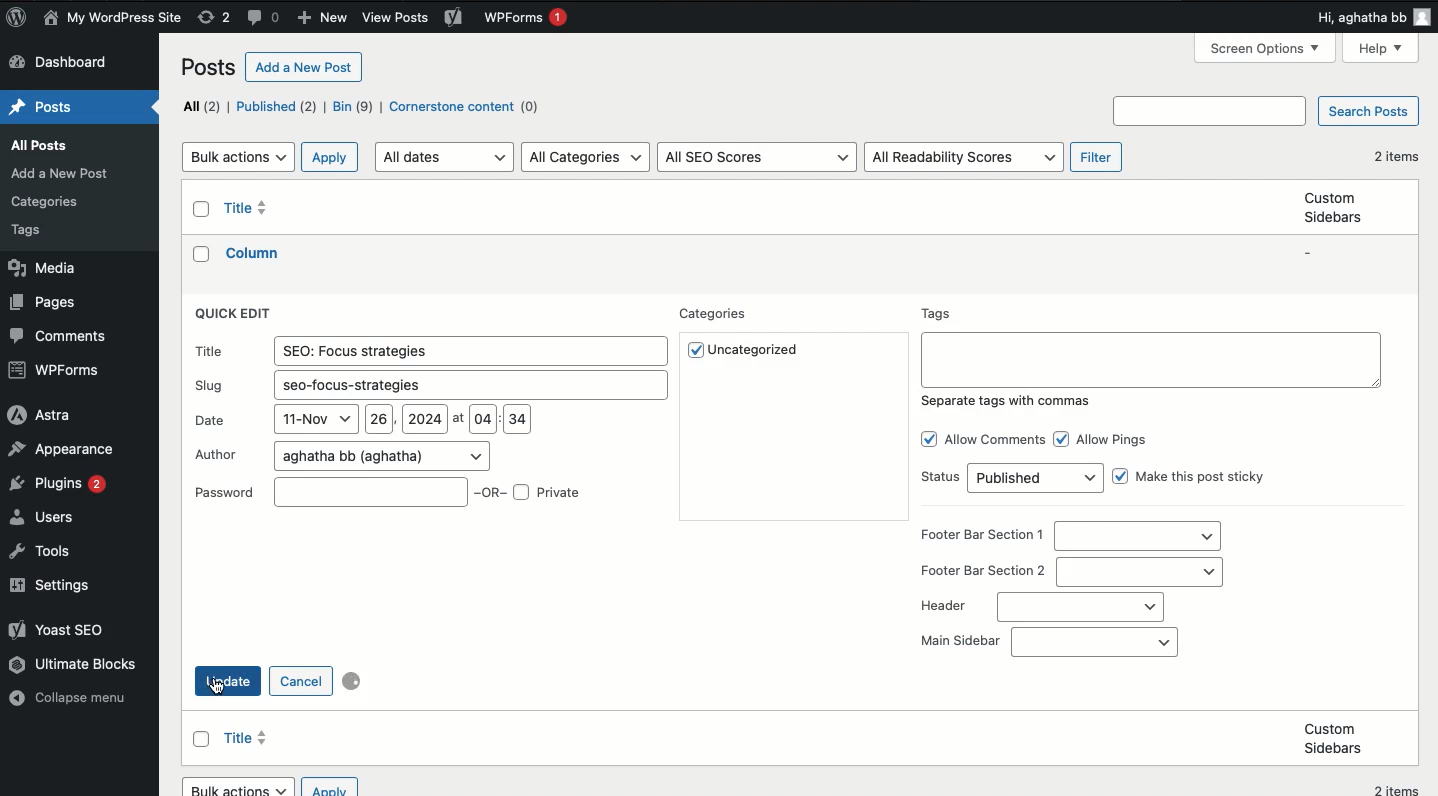 Image resolution: width=1438 pixels, height=796 pixels. Describe the element at coordinates (1114, 440) in the screenshot. I see `All pings` at that location.